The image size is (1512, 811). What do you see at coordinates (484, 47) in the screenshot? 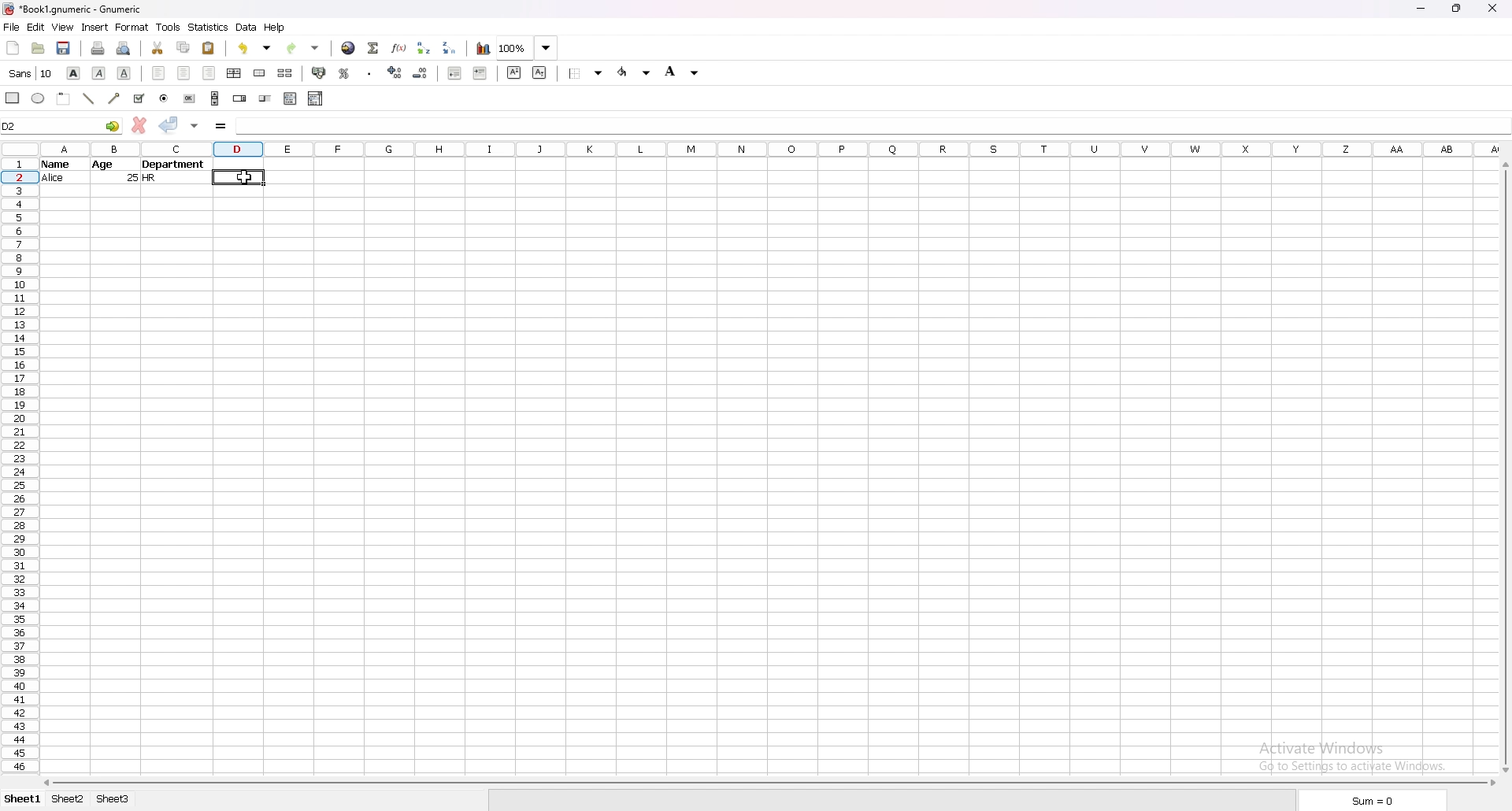
I see `chart` at bounding box center [484, 47].